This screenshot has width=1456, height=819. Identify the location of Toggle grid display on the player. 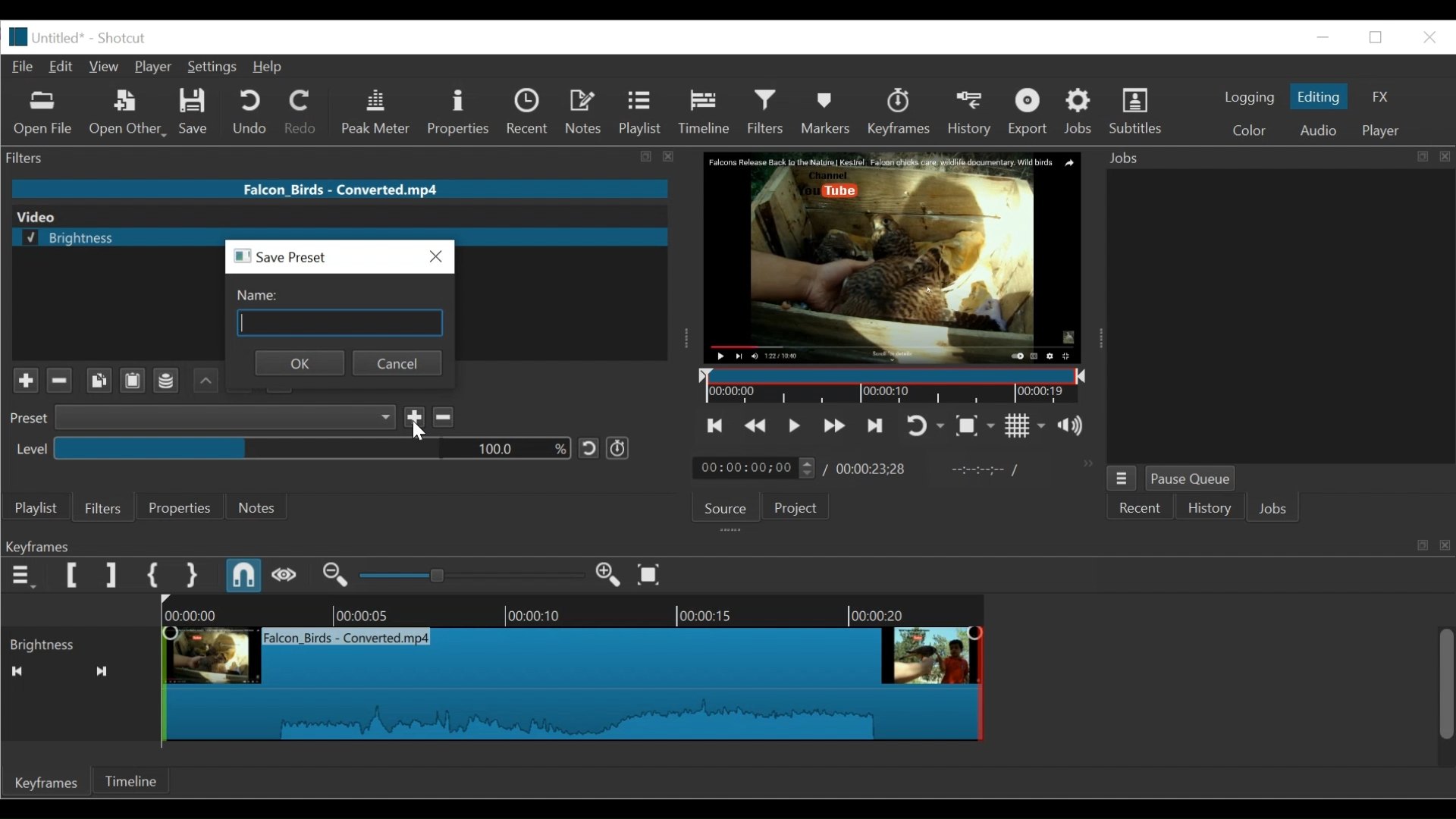
(1026, 426).